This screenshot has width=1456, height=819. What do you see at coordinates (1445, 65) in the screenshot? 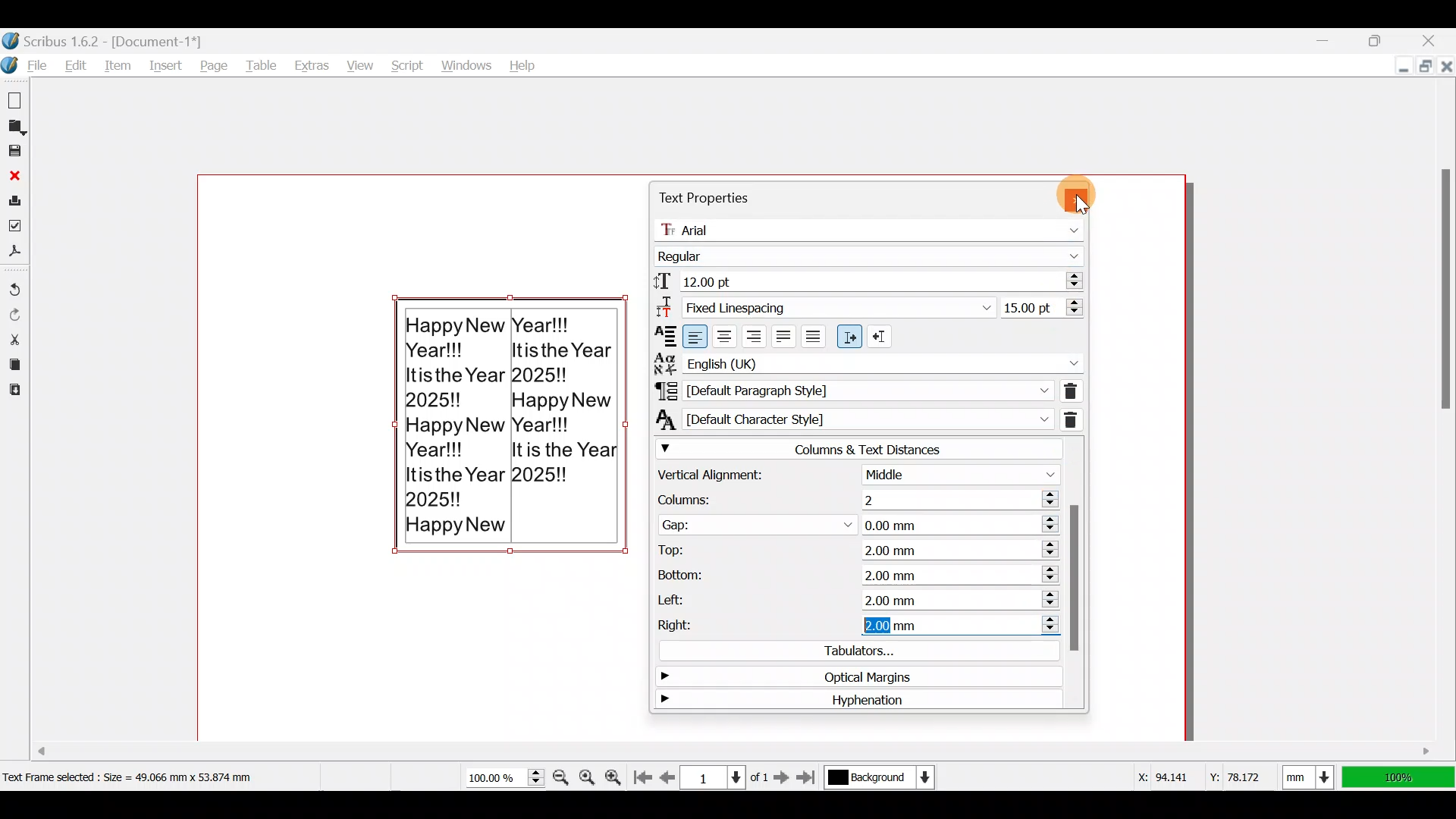
I see `Close` at bounding box center [1445, 65].